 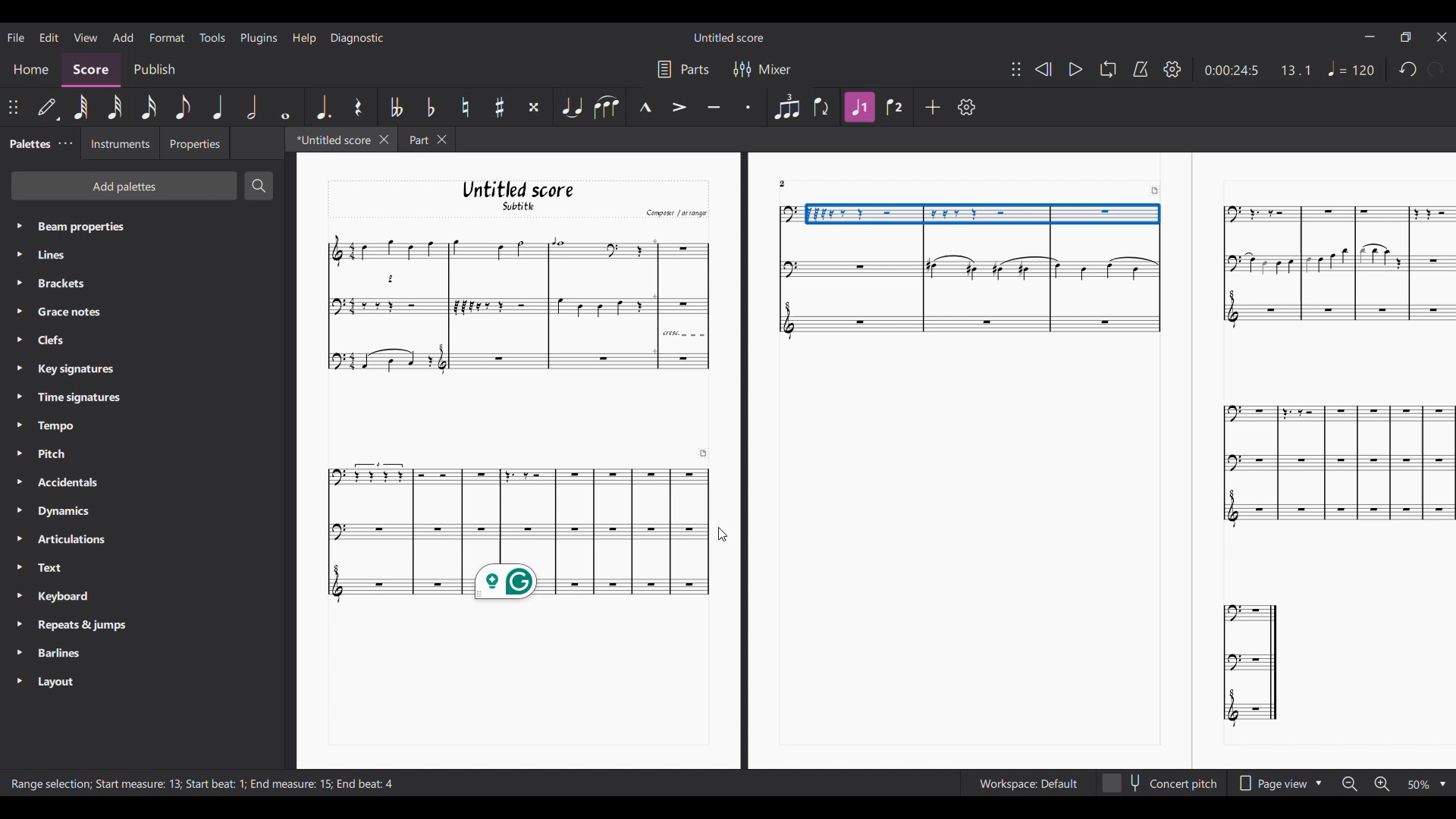 What do you see at coordinates (122, 36) in the screenshot?
I see `Add menu` at bounding box center [122, 36].